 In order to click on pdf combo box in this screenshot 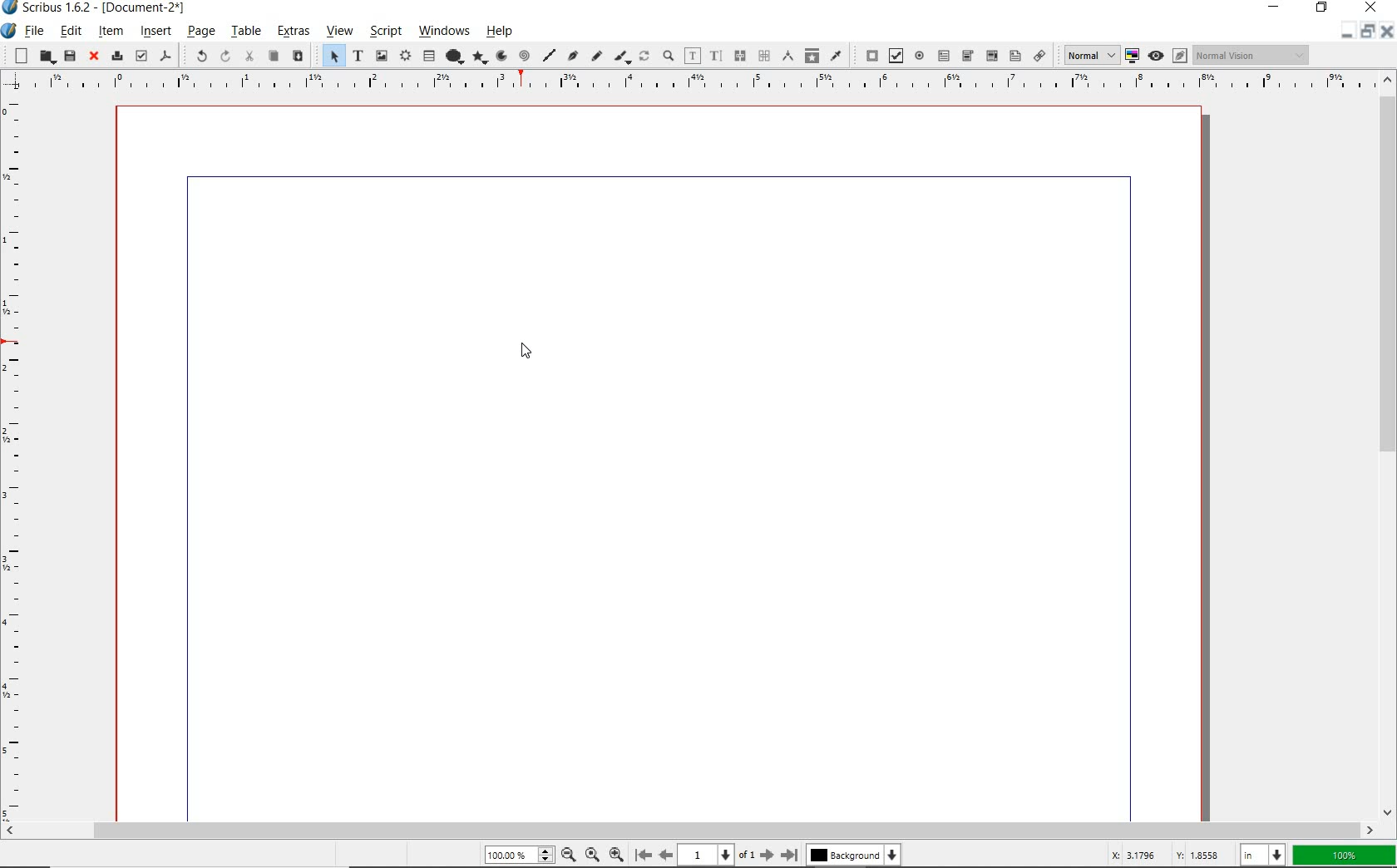, I will do `click(990, 56)`.